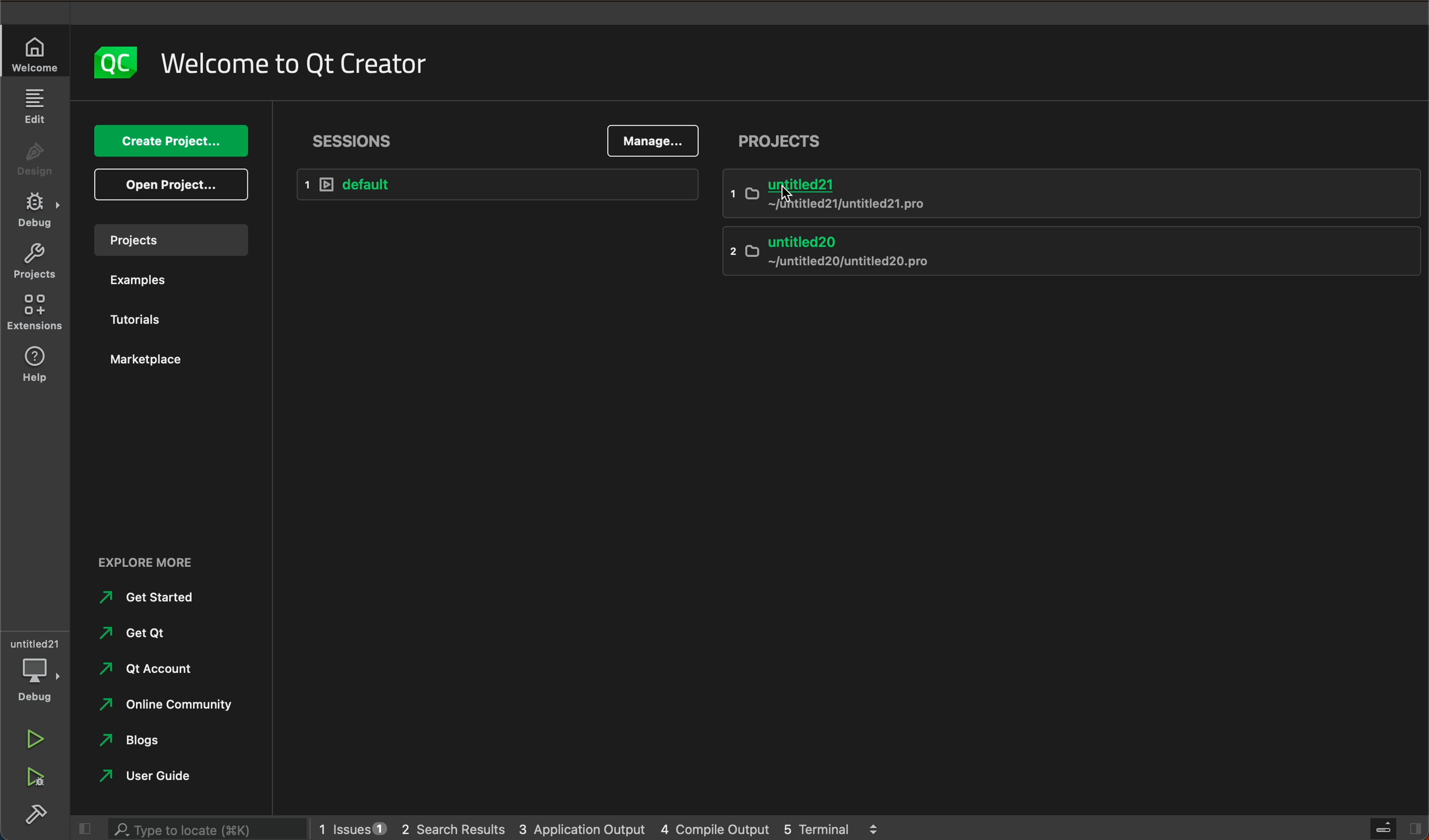 This screenshot has height=840, width=1429. What do you see at coordinates (158, 601) in the screenshot?
I see `get started` at bounding box center [158, 601].